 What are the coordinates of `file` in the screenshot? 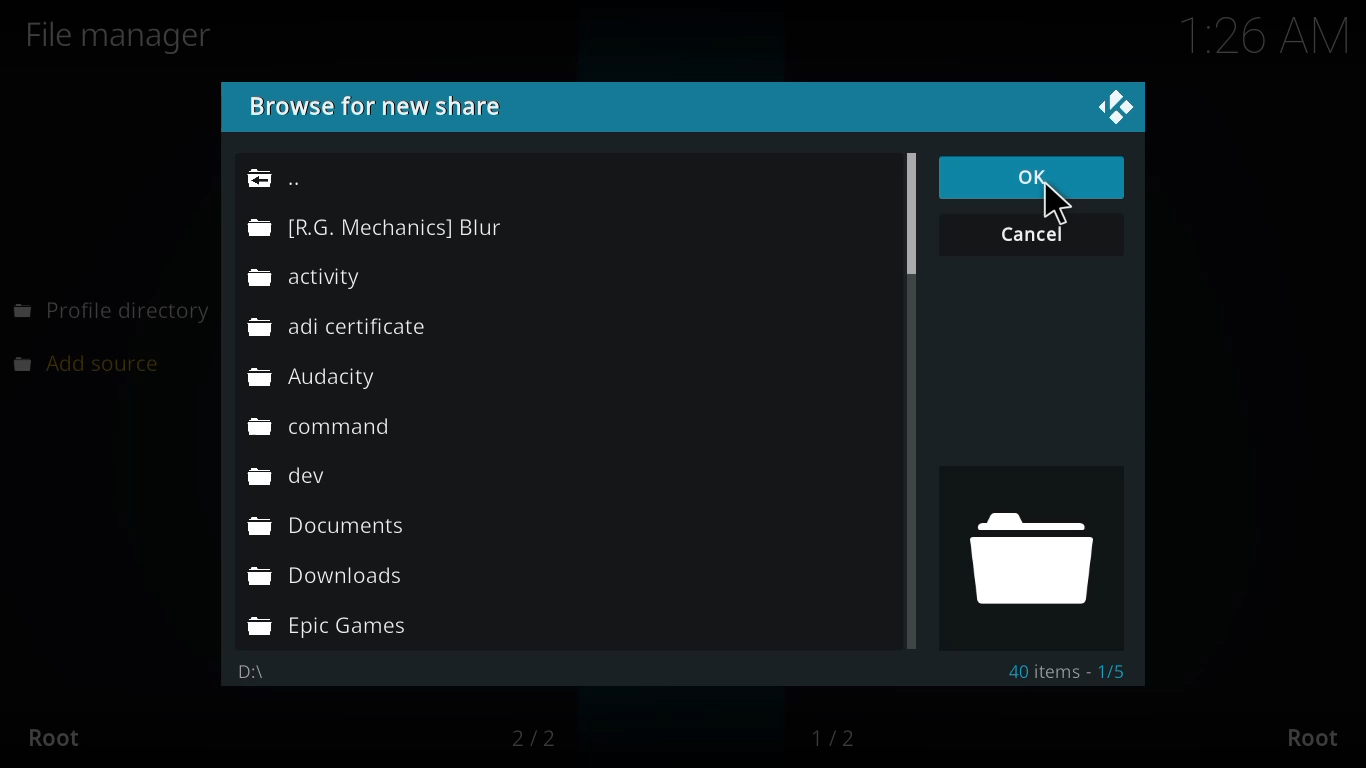 It's located at (327, 577).